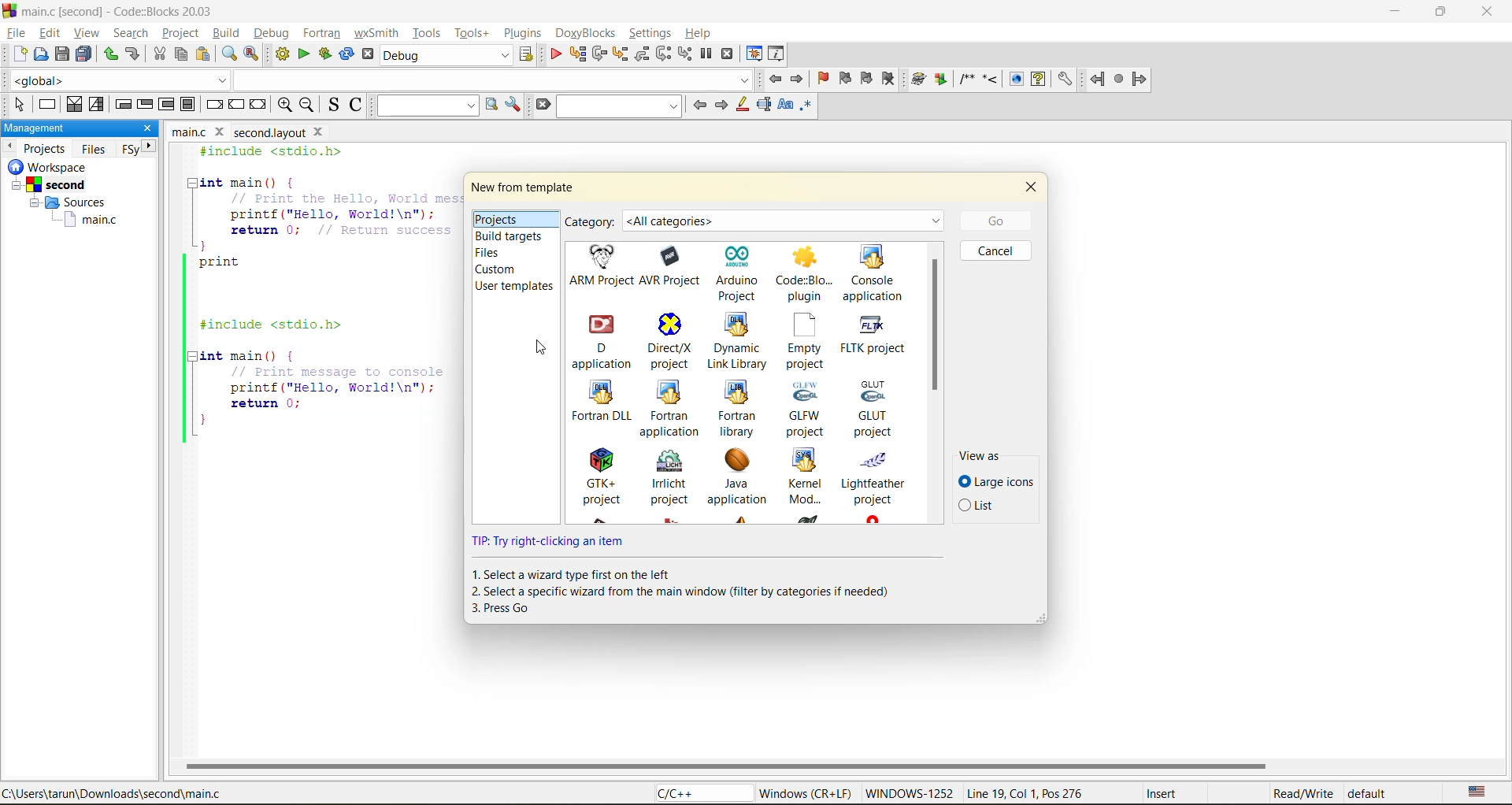  Describe the element at coordinates (494, 106) in the screenshot. I see `run search` at that location.